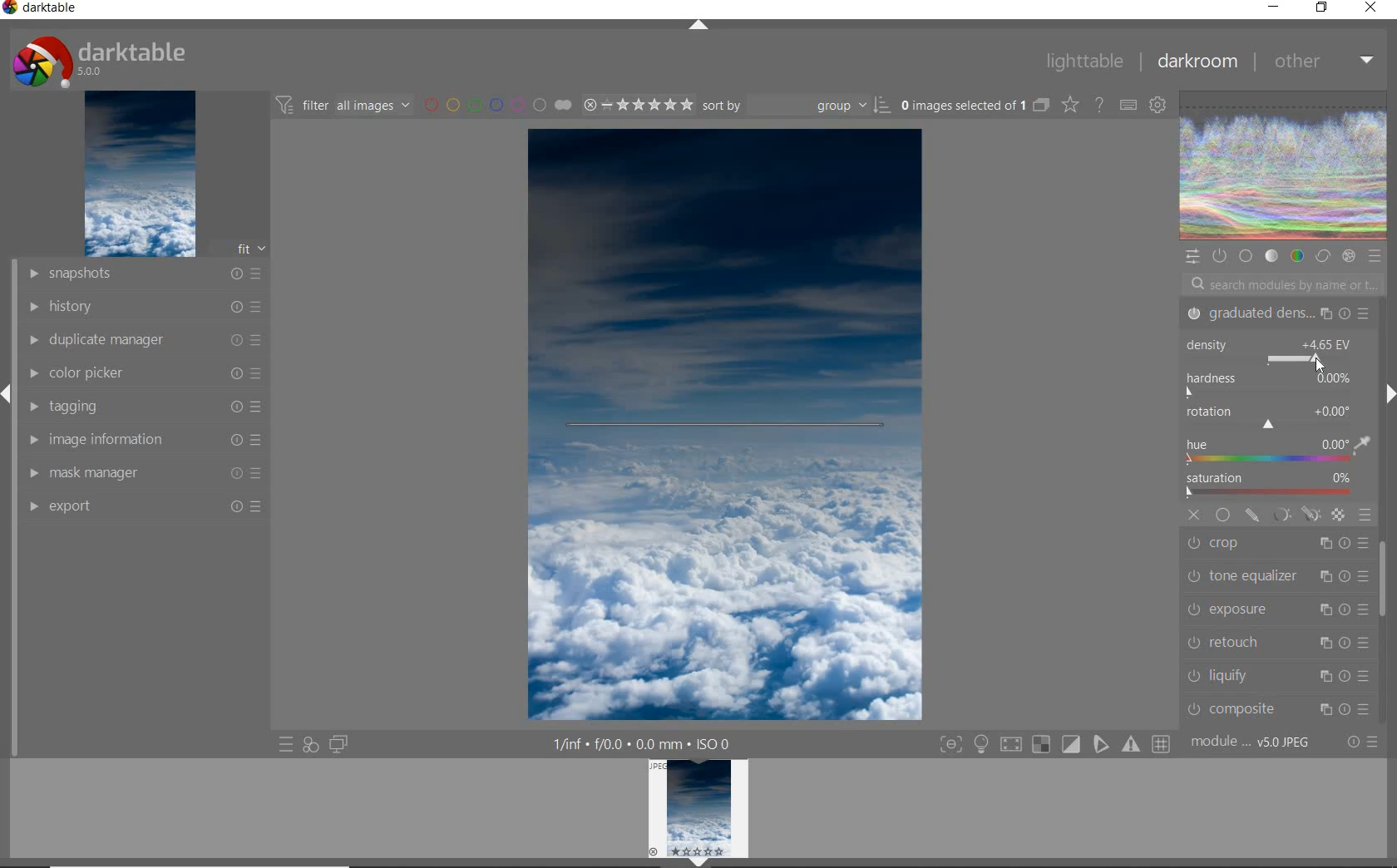 Image resolution: width=1397 pixels, height=868 pixels. Describe the element at coordinates (1389, 394) in the screenshot. I see `Next` at that location.